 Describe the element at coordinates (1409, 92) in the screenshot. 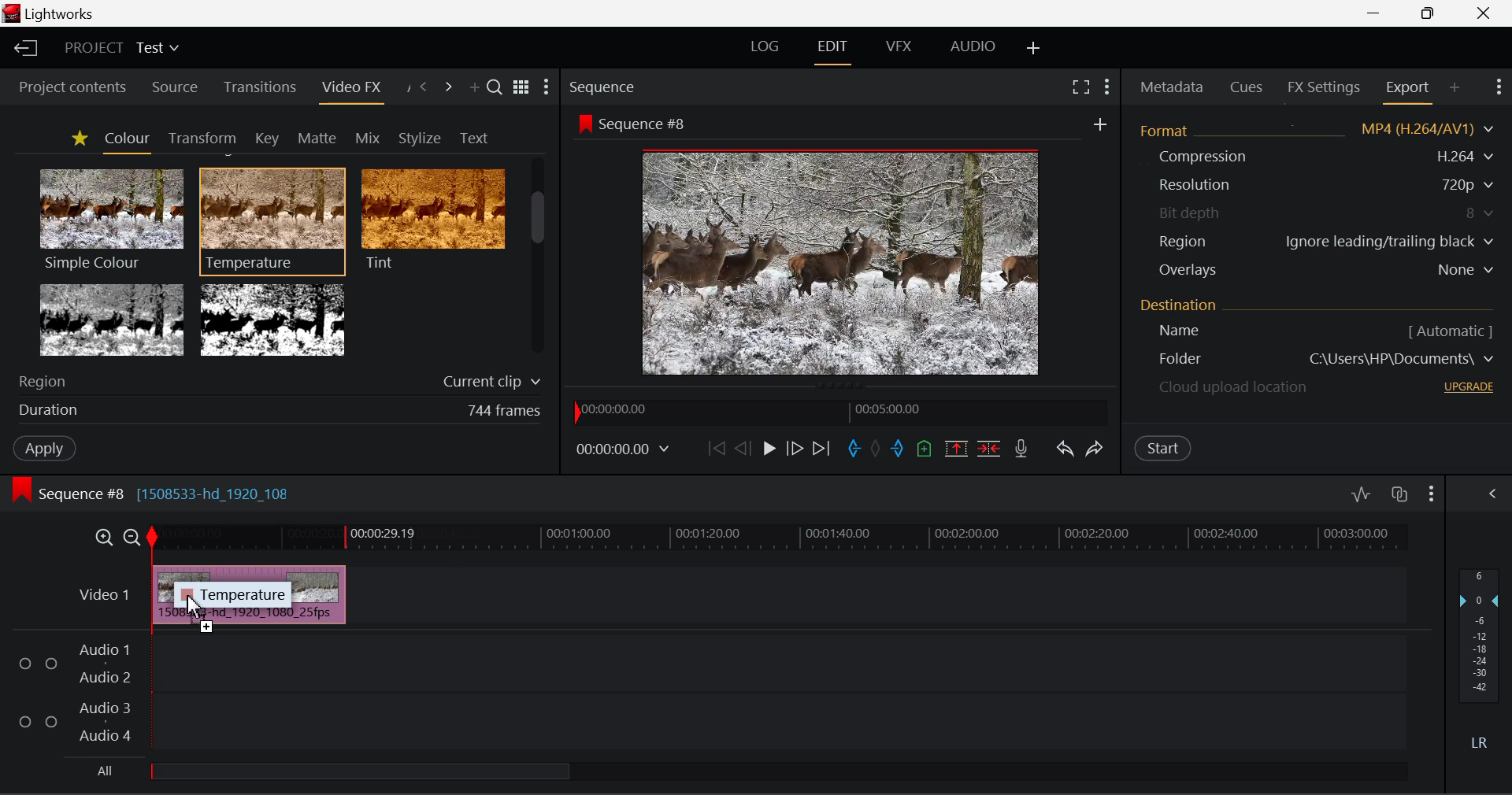

I see `Export` at that location.